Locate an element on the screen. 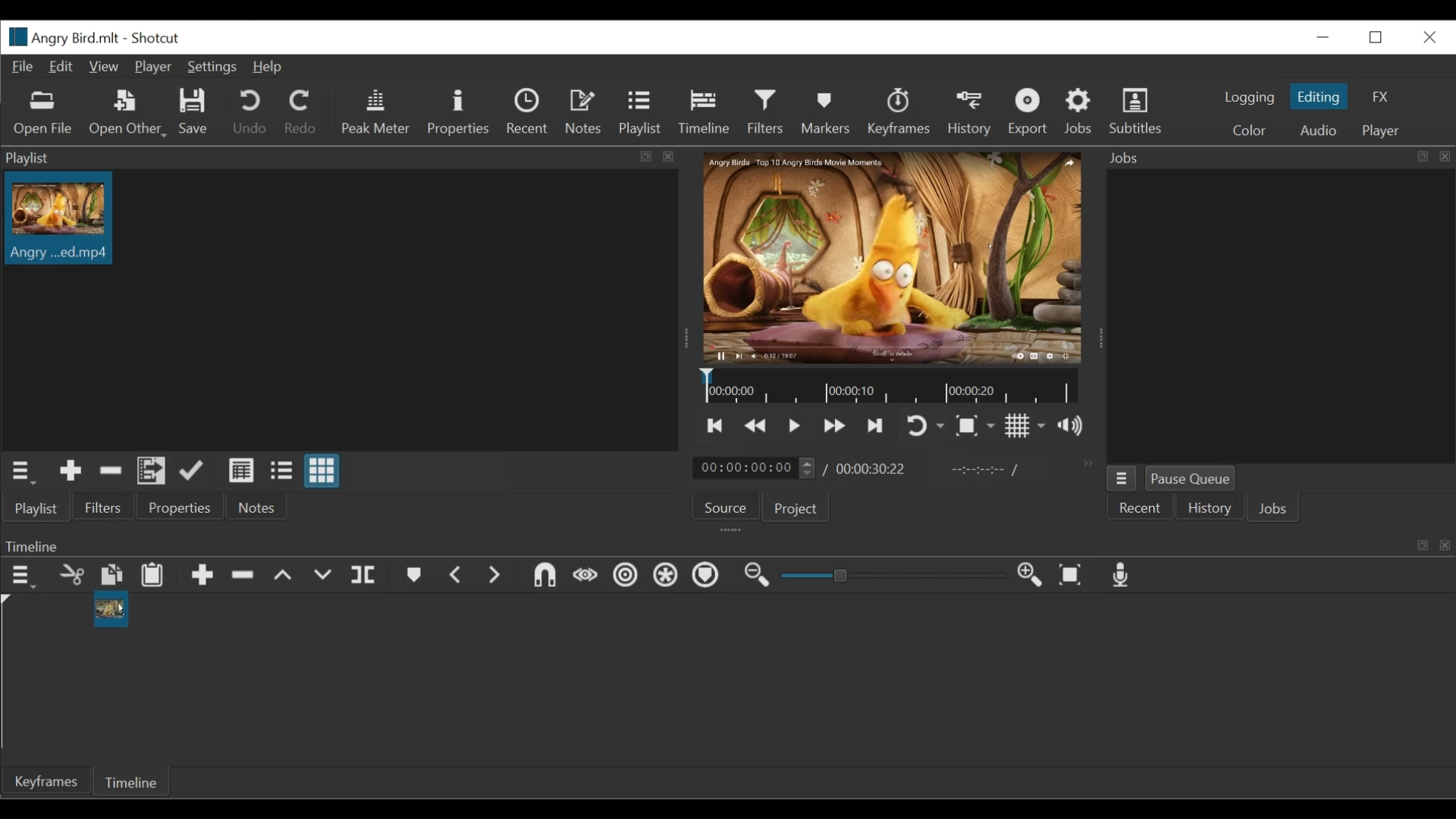 The height and width of the screenshot is (819, 1456). Jobs Panel is located at coordinates (1279, 316).